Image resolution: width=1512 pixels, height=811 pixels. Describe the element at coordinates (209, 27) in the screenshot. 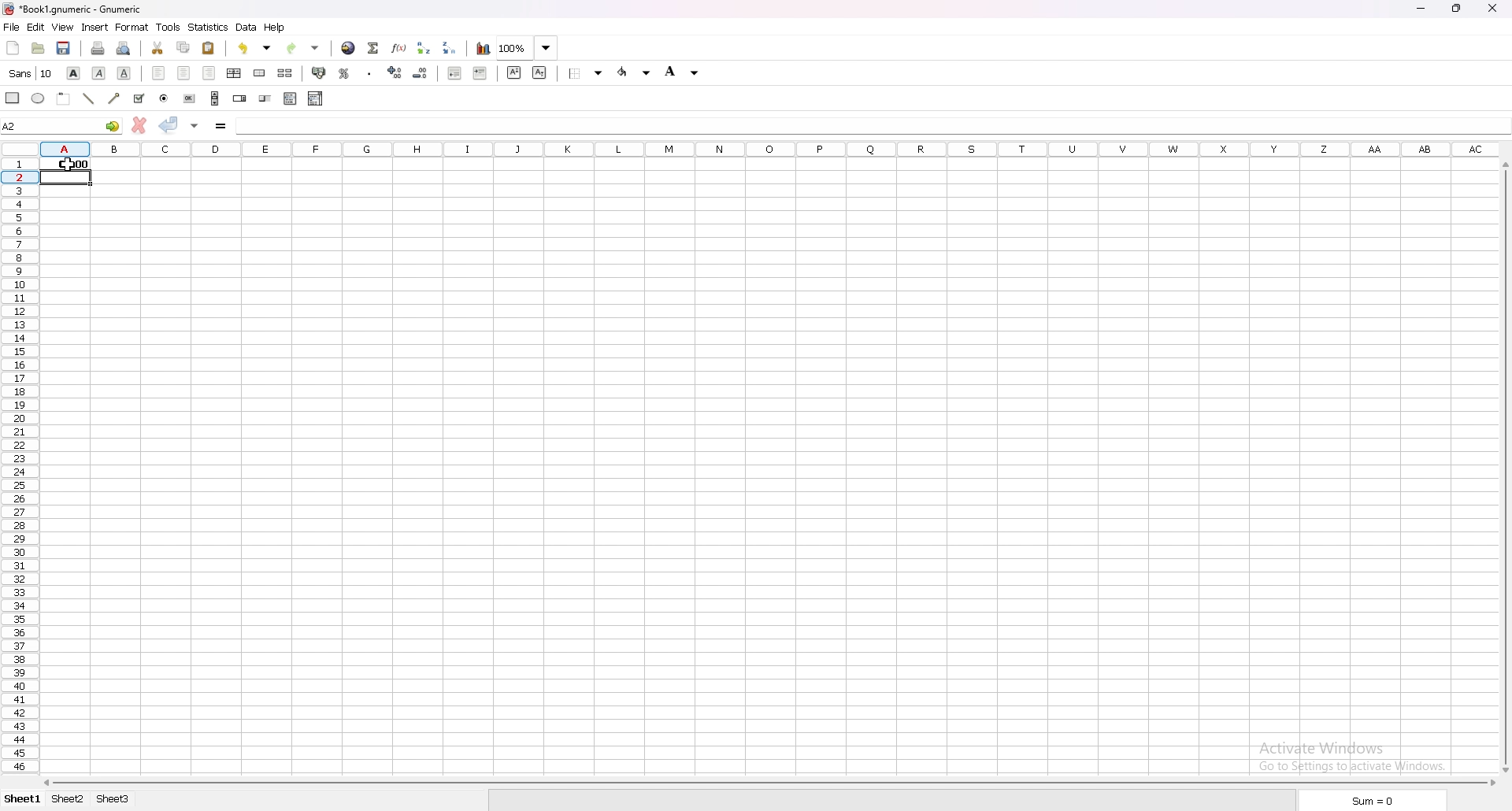

I see `statistics` at that location.